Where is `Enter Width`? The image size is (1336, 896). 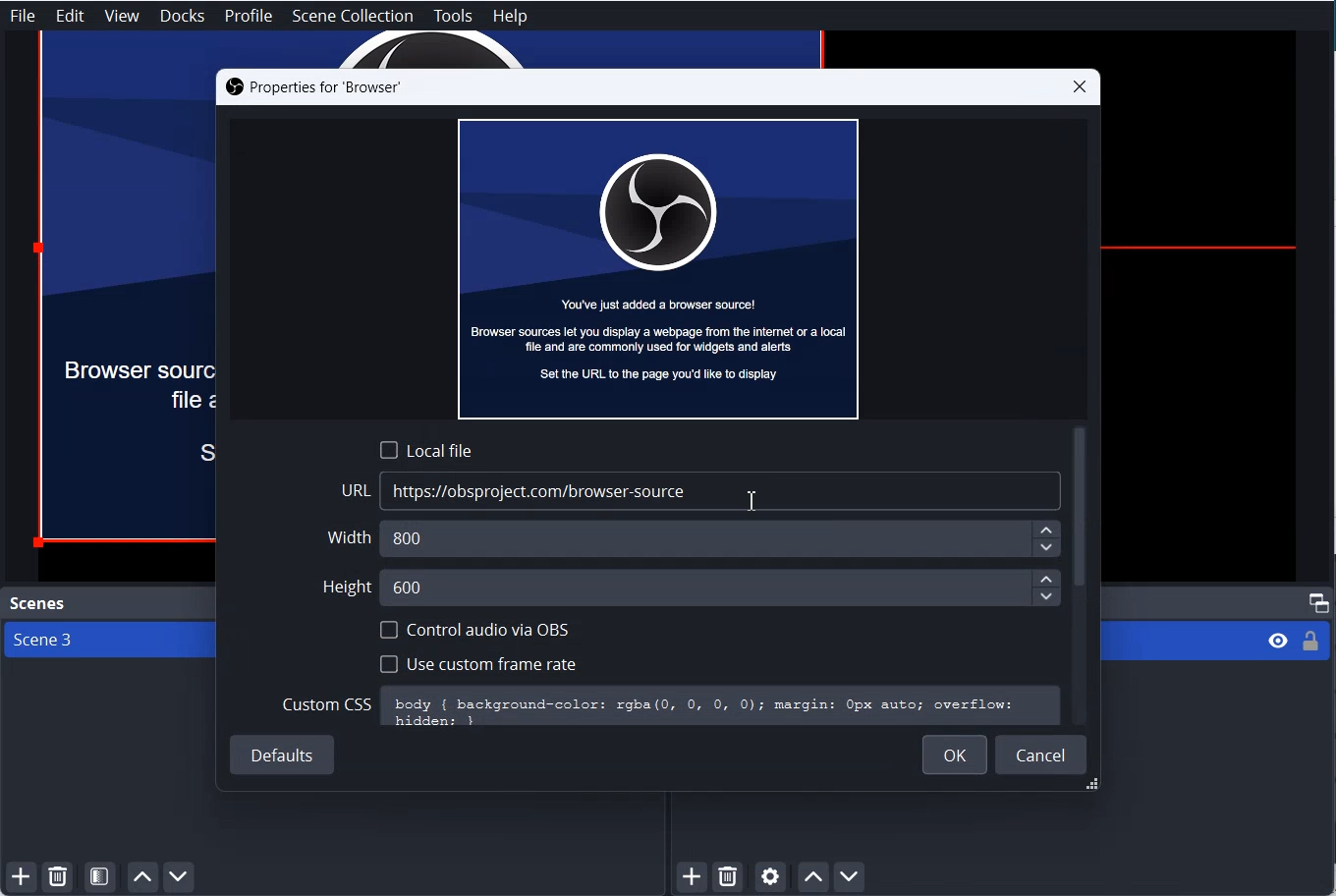 Enter Width is located at coordinates (696, 538).